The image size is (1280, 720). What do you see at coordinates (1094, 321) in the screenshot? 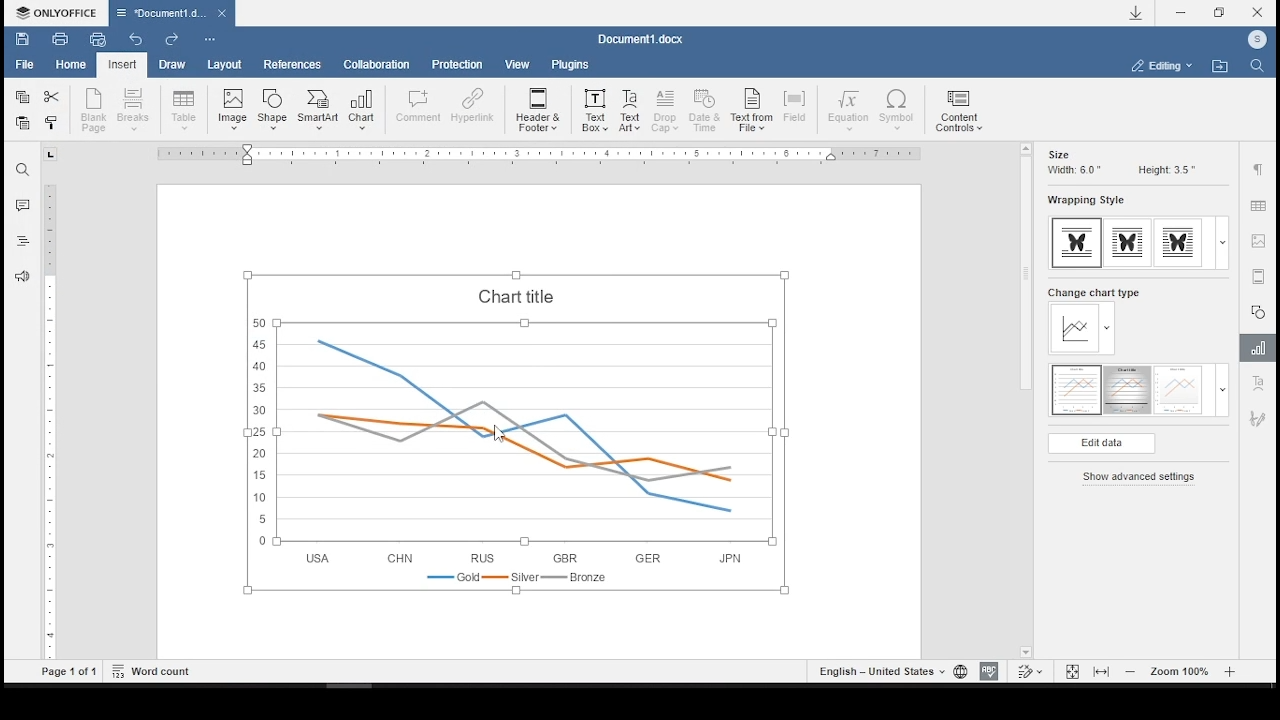
I see `change chart type` at bounding box center [1094, 321].